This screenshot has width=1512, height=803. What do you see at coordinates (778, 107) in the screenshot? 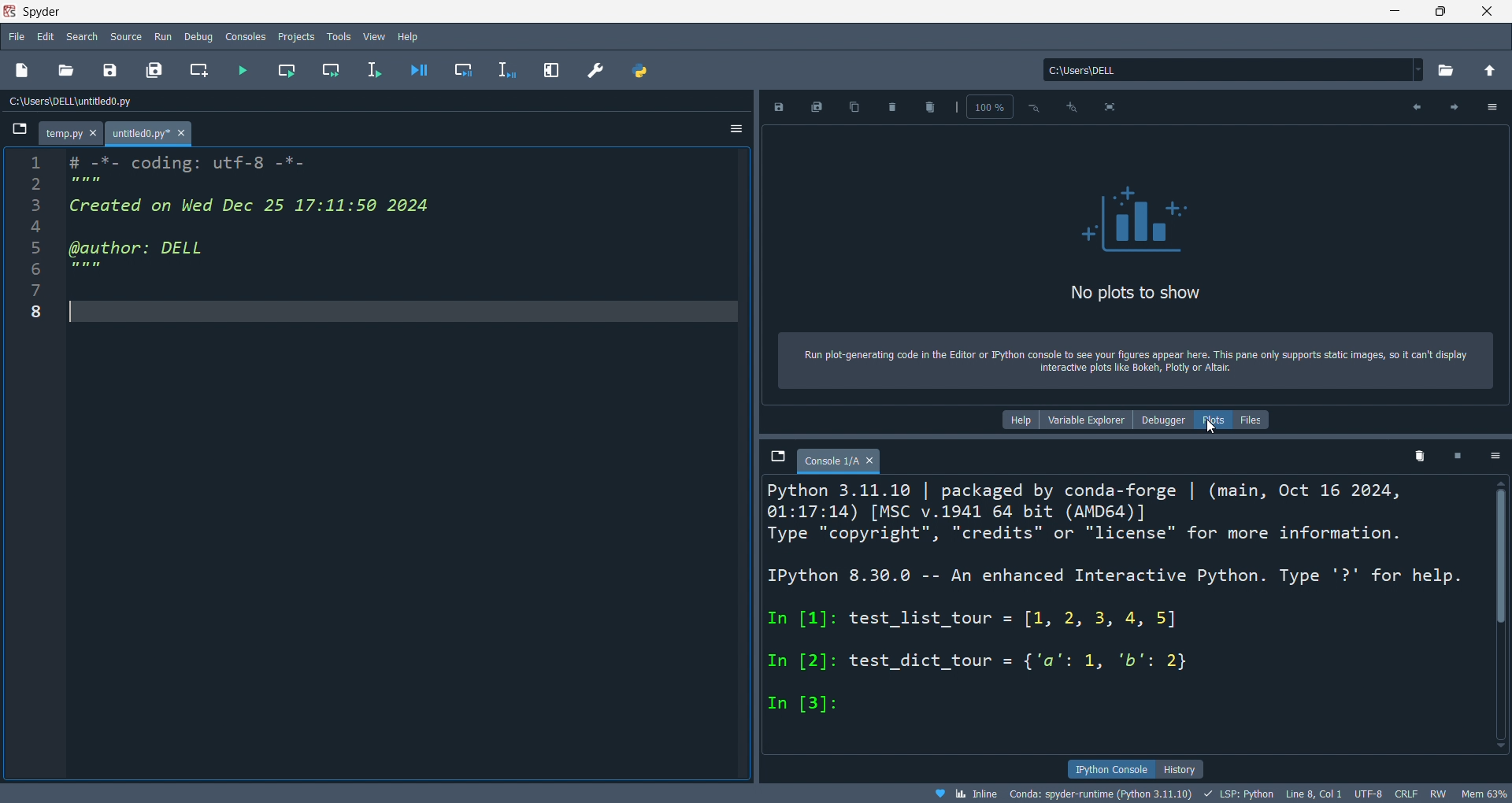
I see `save` at bounding box center [778, 107].